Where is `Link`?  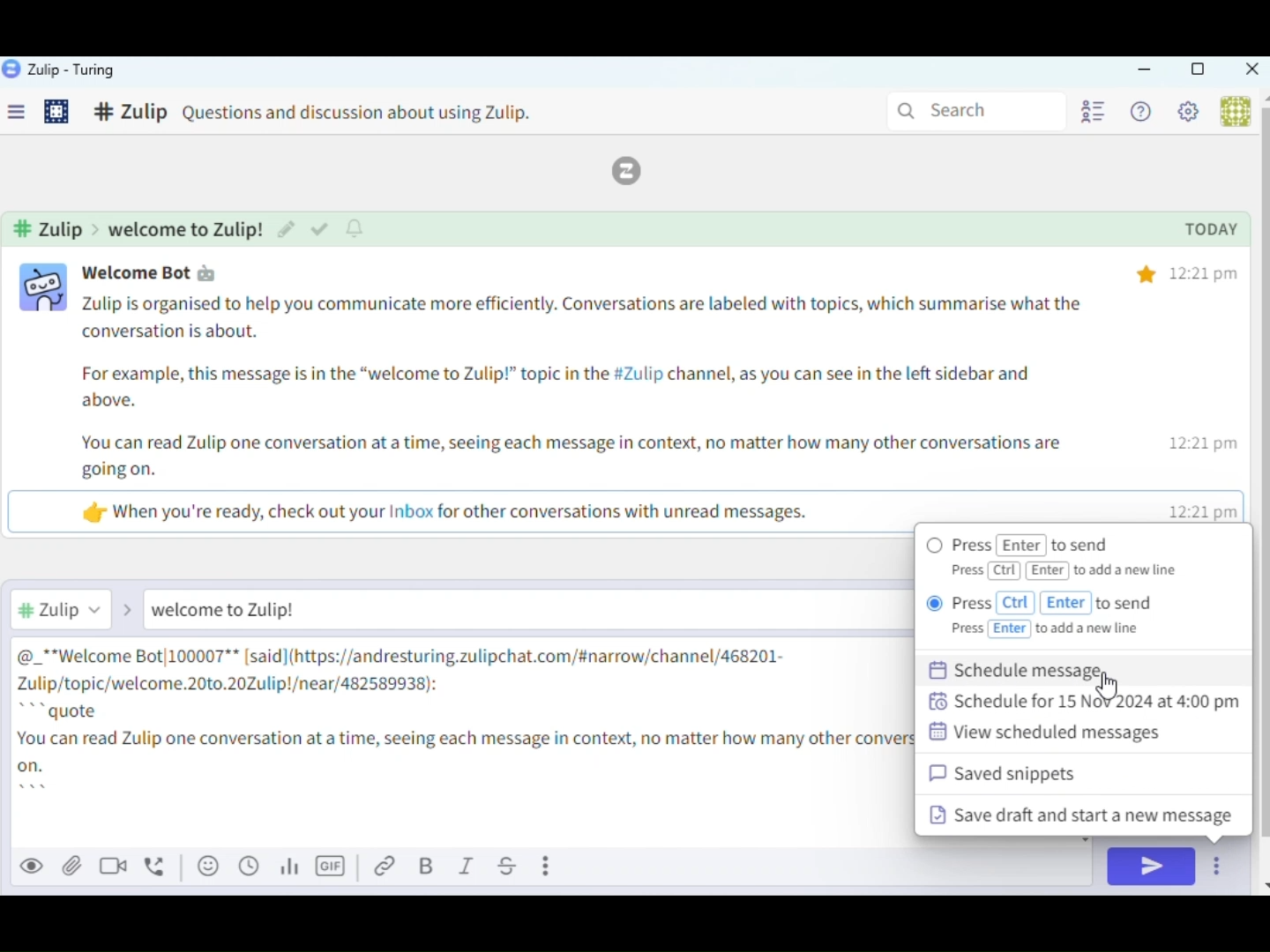
Link is located at coordinates (388, 867).